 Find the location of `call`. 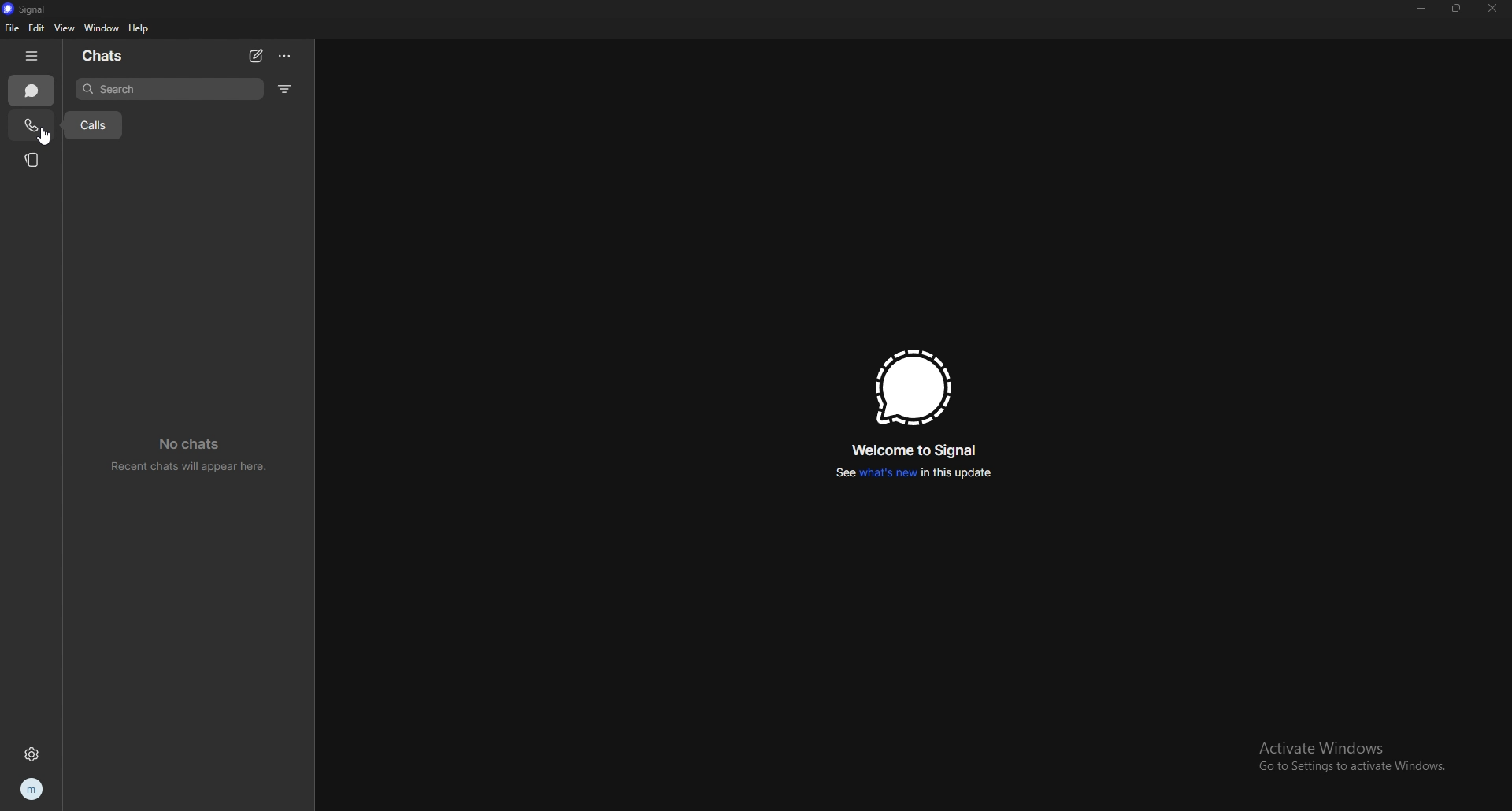

call is located at coordinates (31, 127).